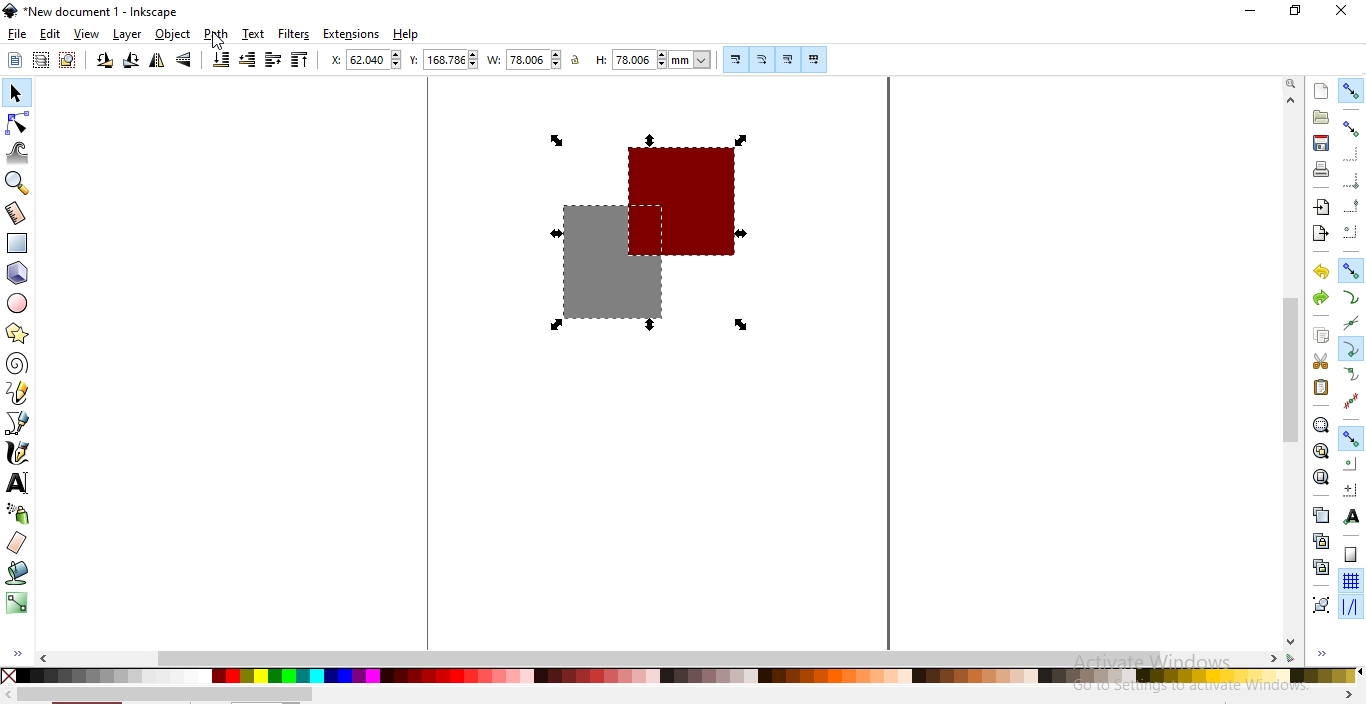 This screenshot has width=1366, height=704. Describe the element at coordinates (1322, 169) in the screenshot. I see `print document` at that location.